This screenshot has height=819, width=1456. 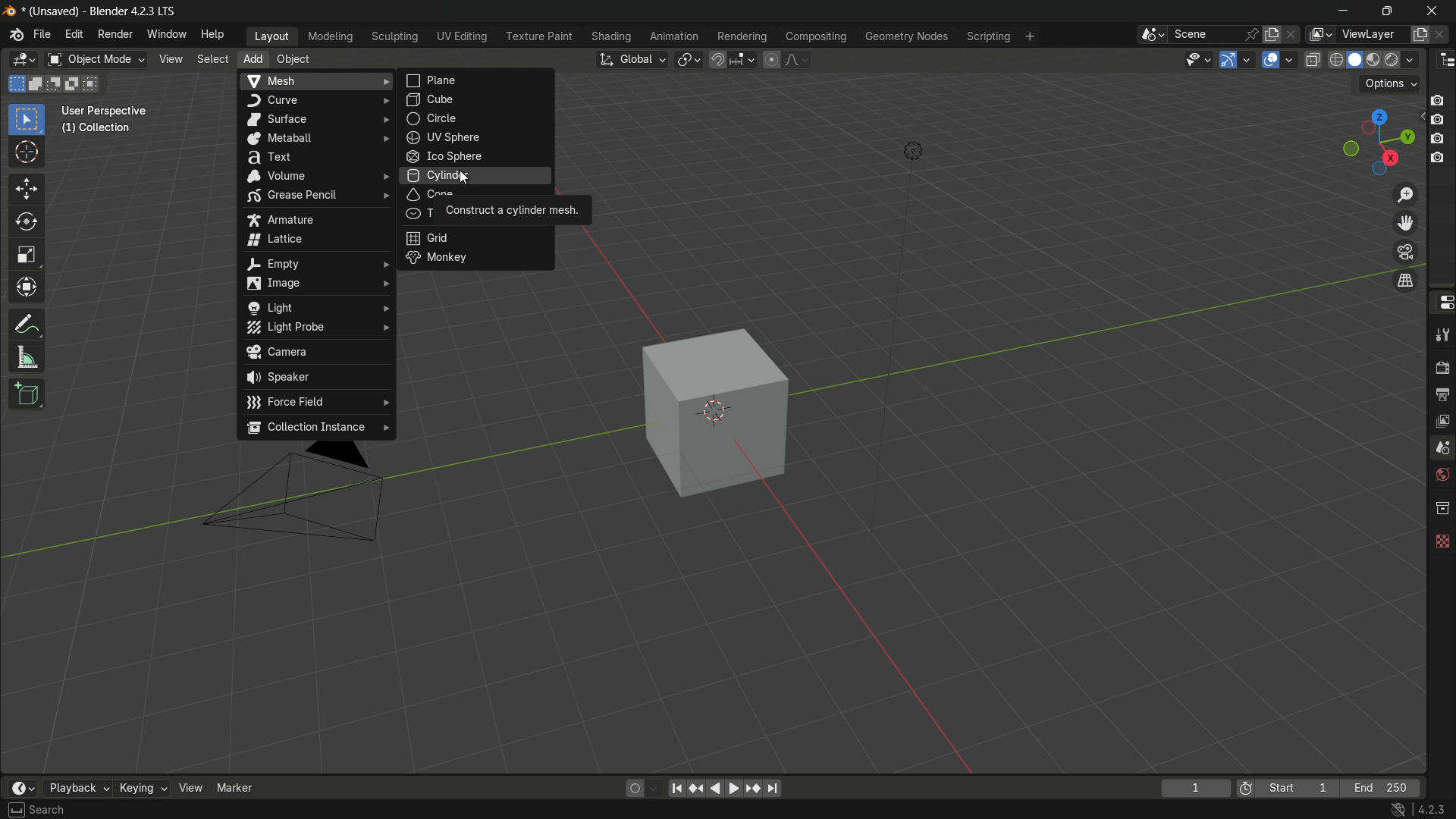 What do you see at coordinates (1292, 59) in the screenshot?
I see `overlays` at bounding box center [1292, 59].